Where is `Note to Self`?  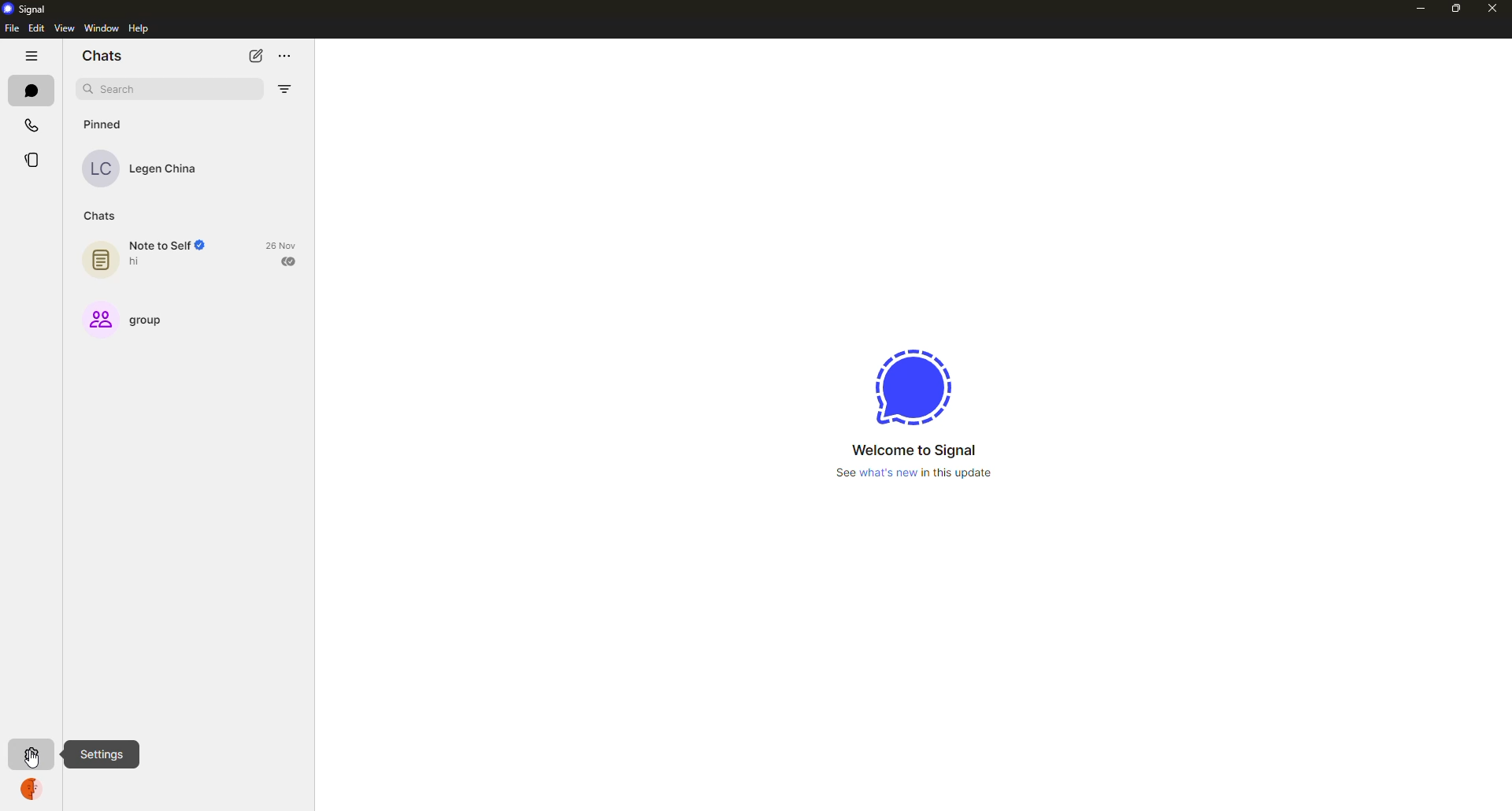 Note to Self is located at coordinates (169, 246).